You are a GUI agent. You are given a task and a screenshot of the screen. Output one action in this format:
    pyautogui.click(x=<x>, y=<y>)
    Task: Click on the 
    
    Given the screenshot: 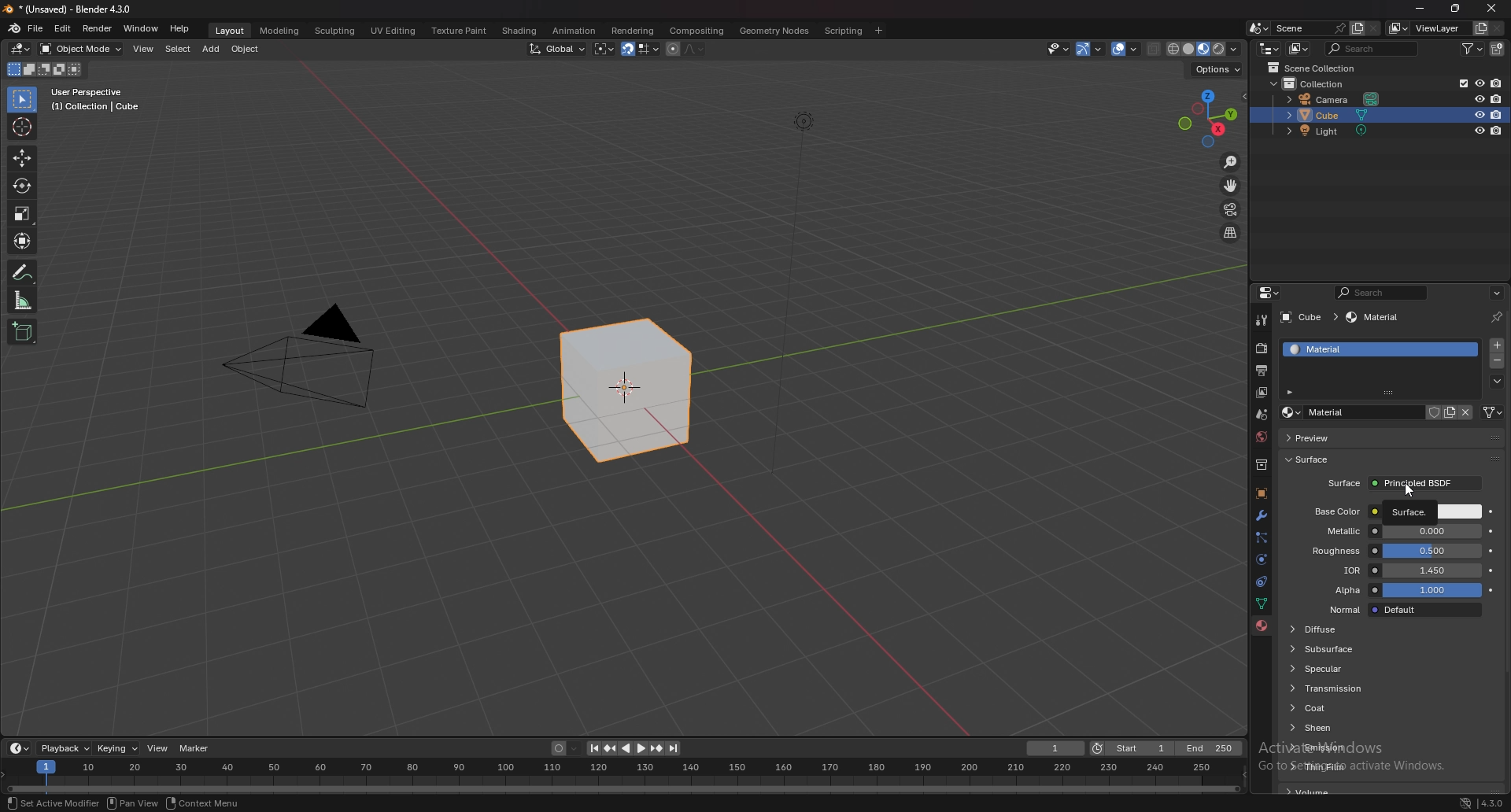 What is the action you would take?
    pyautogui.click(x=801, y=303)
    